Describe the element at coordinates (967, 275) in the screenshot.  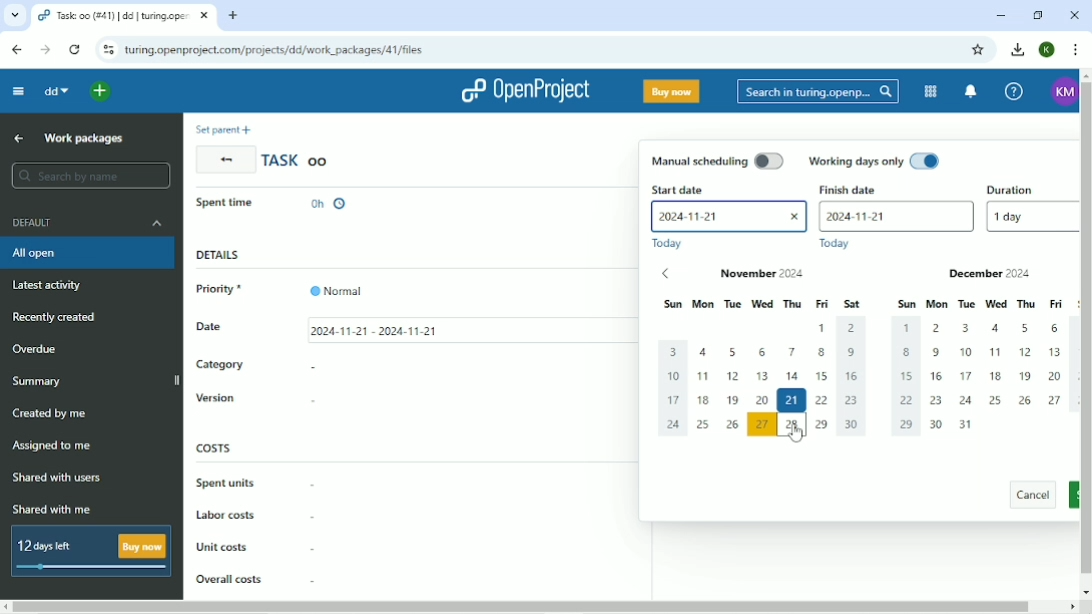
I see `December 2024` at that location.